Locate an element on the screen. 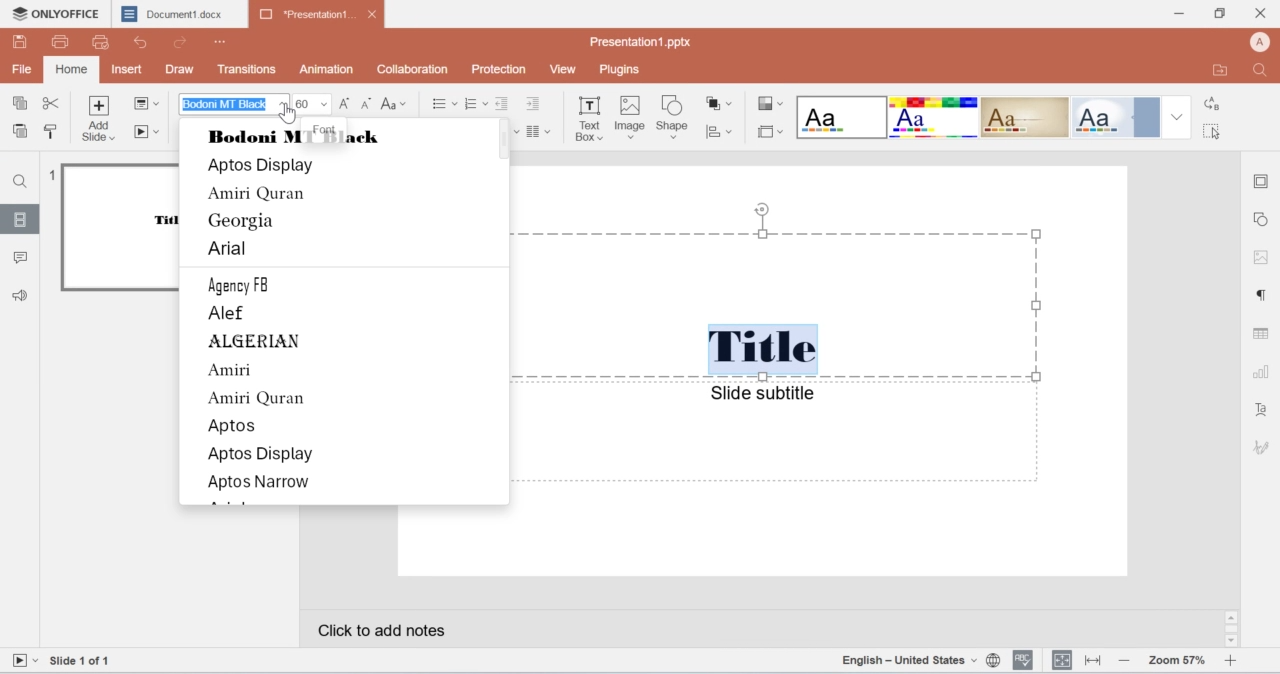  insert is located at coordinates (129, 69).